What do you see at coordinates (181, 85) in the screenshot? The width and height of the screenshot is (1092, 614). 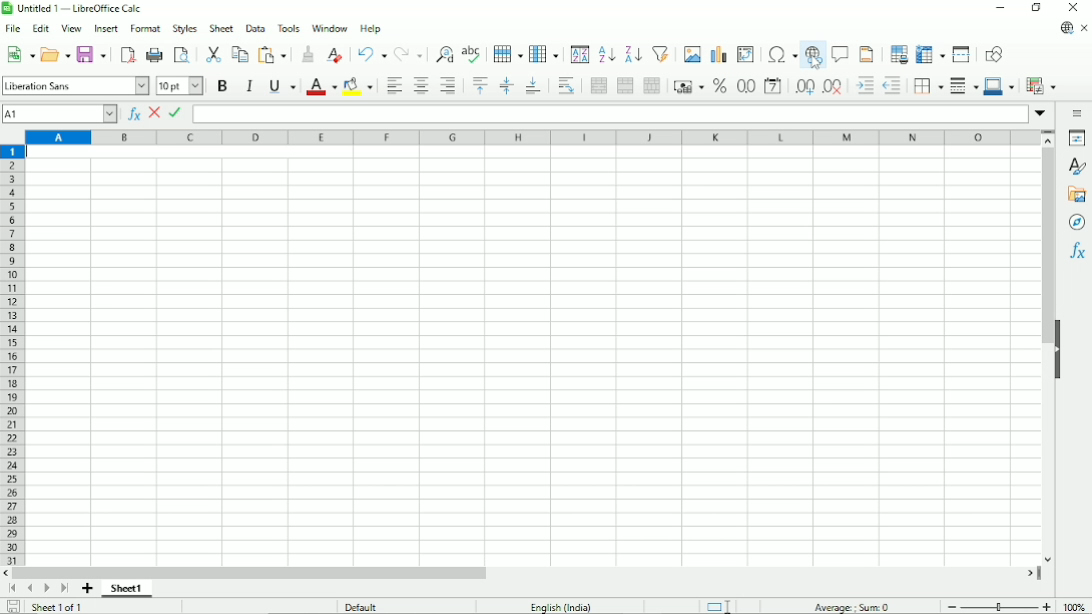 I see `Font size` at bounding box center [181, 85].